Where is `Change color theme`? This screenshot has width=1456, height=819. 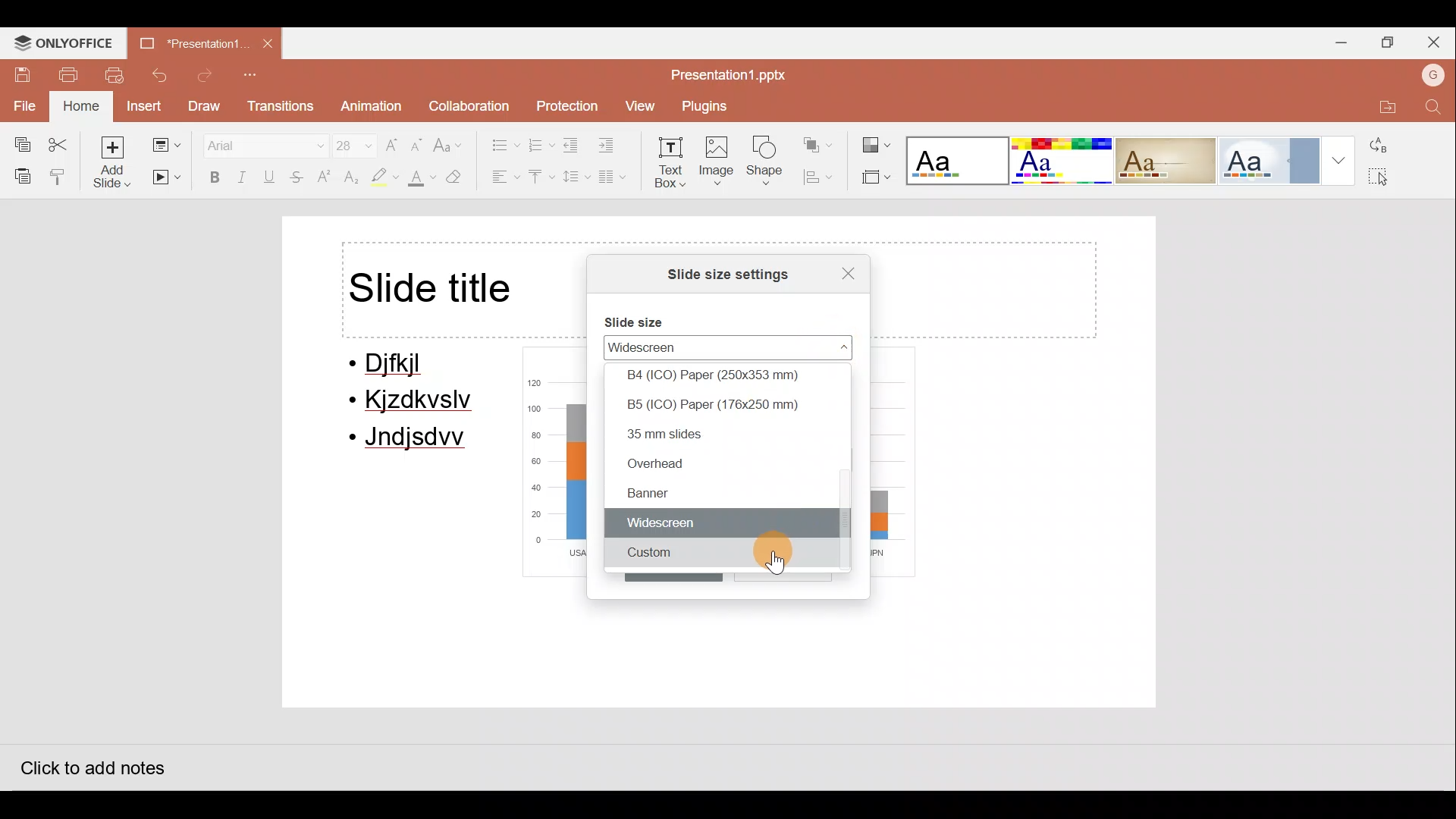
Change color theme is located at coordinates (877, 140).